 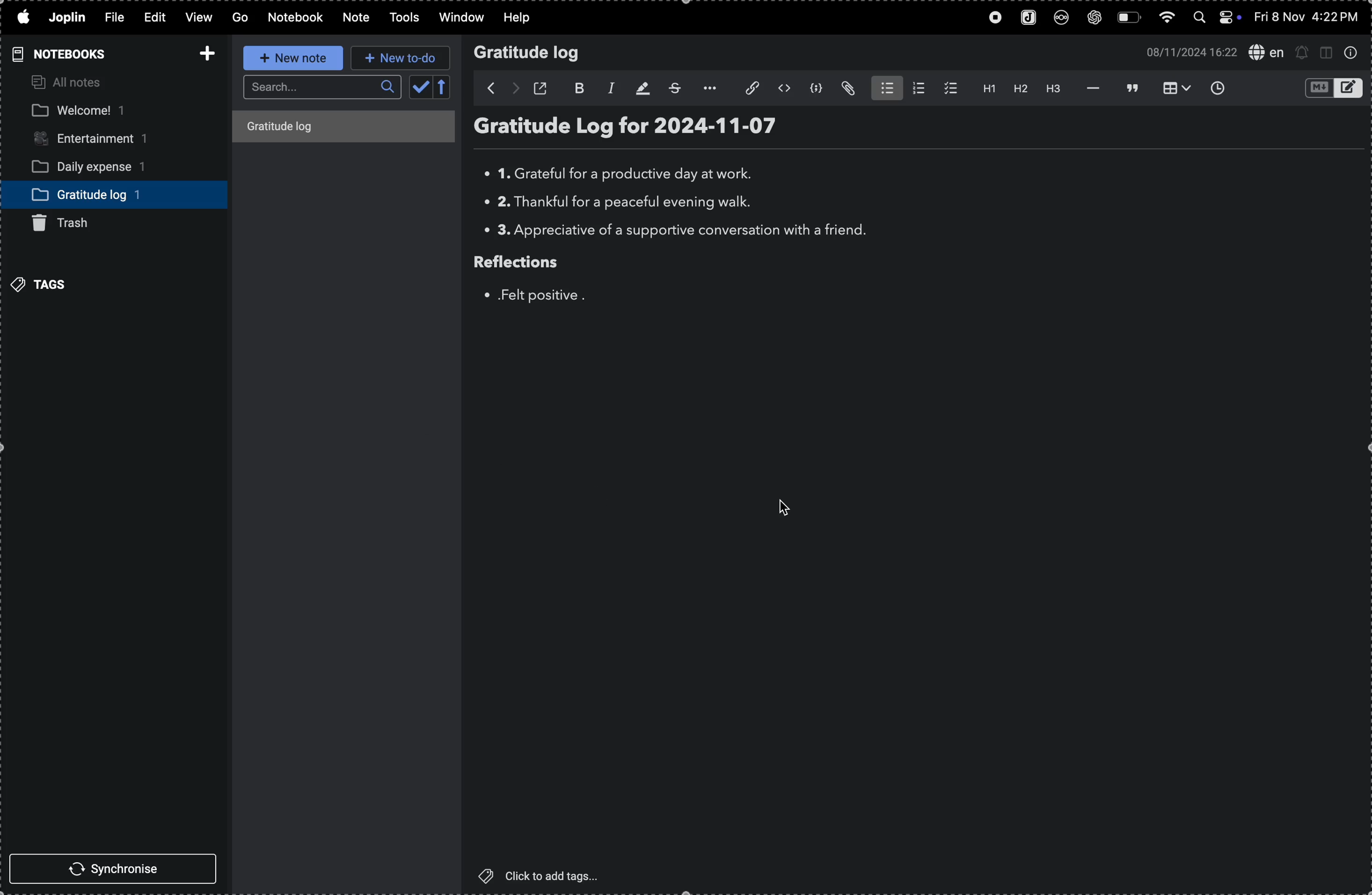 I want to click on info, so click(x=1355, y=55).